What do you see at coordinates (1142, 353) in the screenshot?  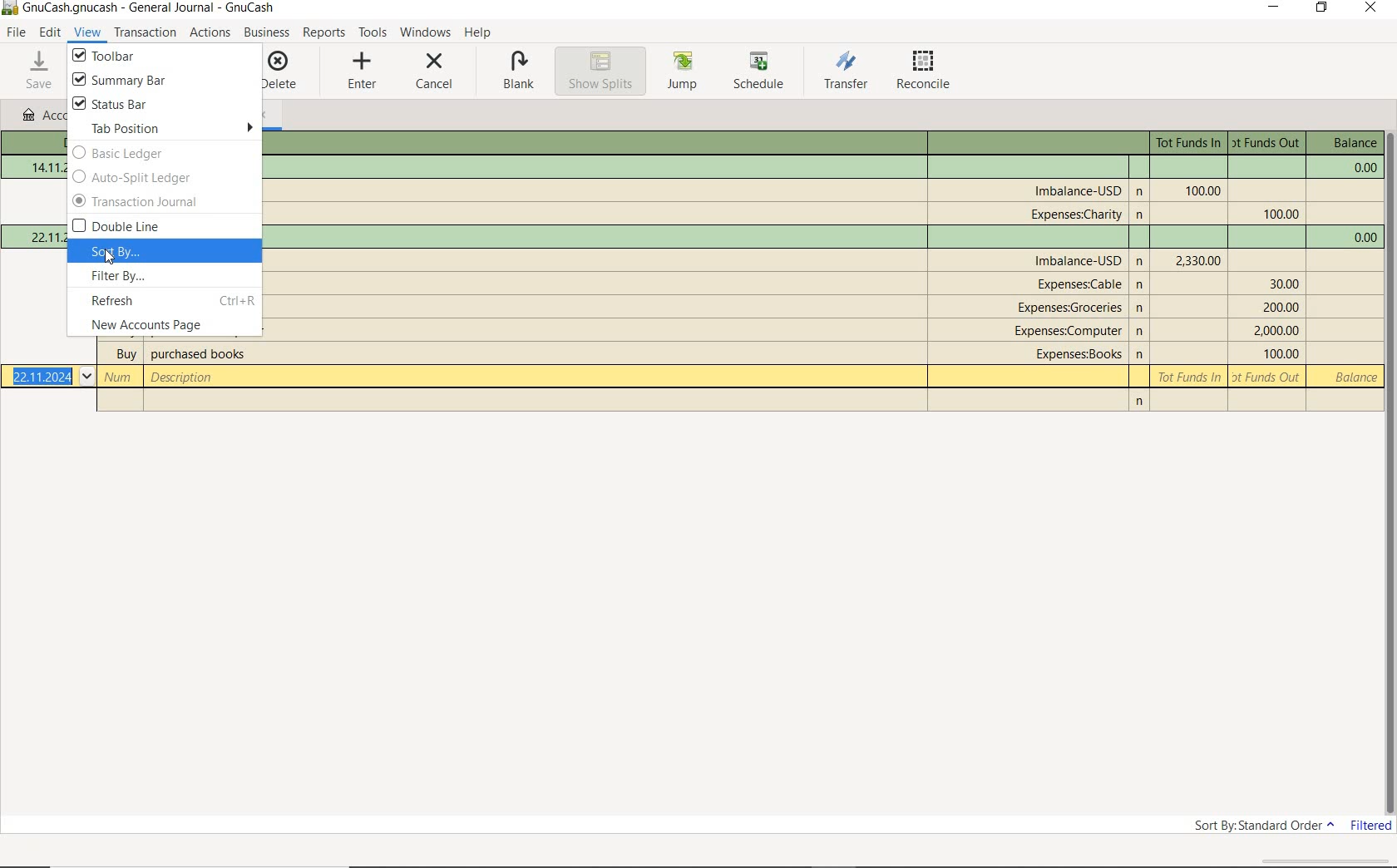 I see `n` at bounding box center [1142, 353].